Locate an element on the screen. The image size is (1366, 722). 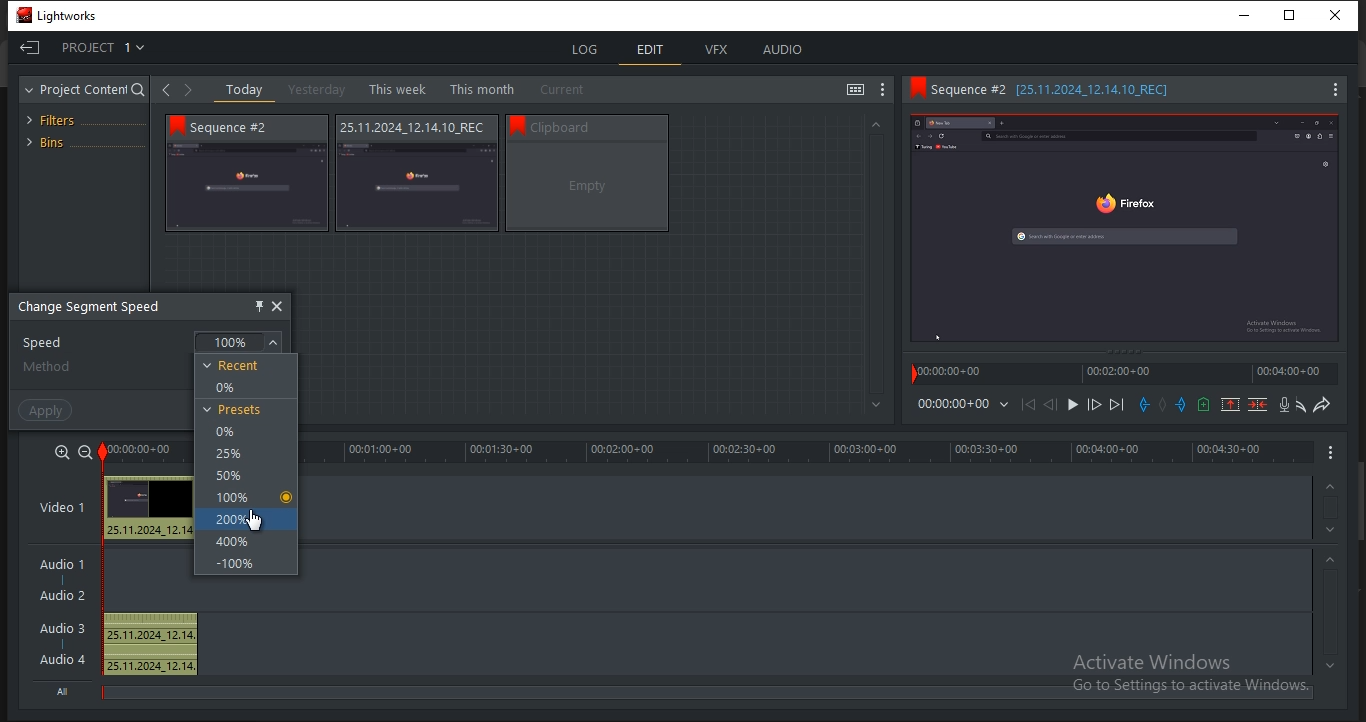
method is located at coordinates (49, 368).